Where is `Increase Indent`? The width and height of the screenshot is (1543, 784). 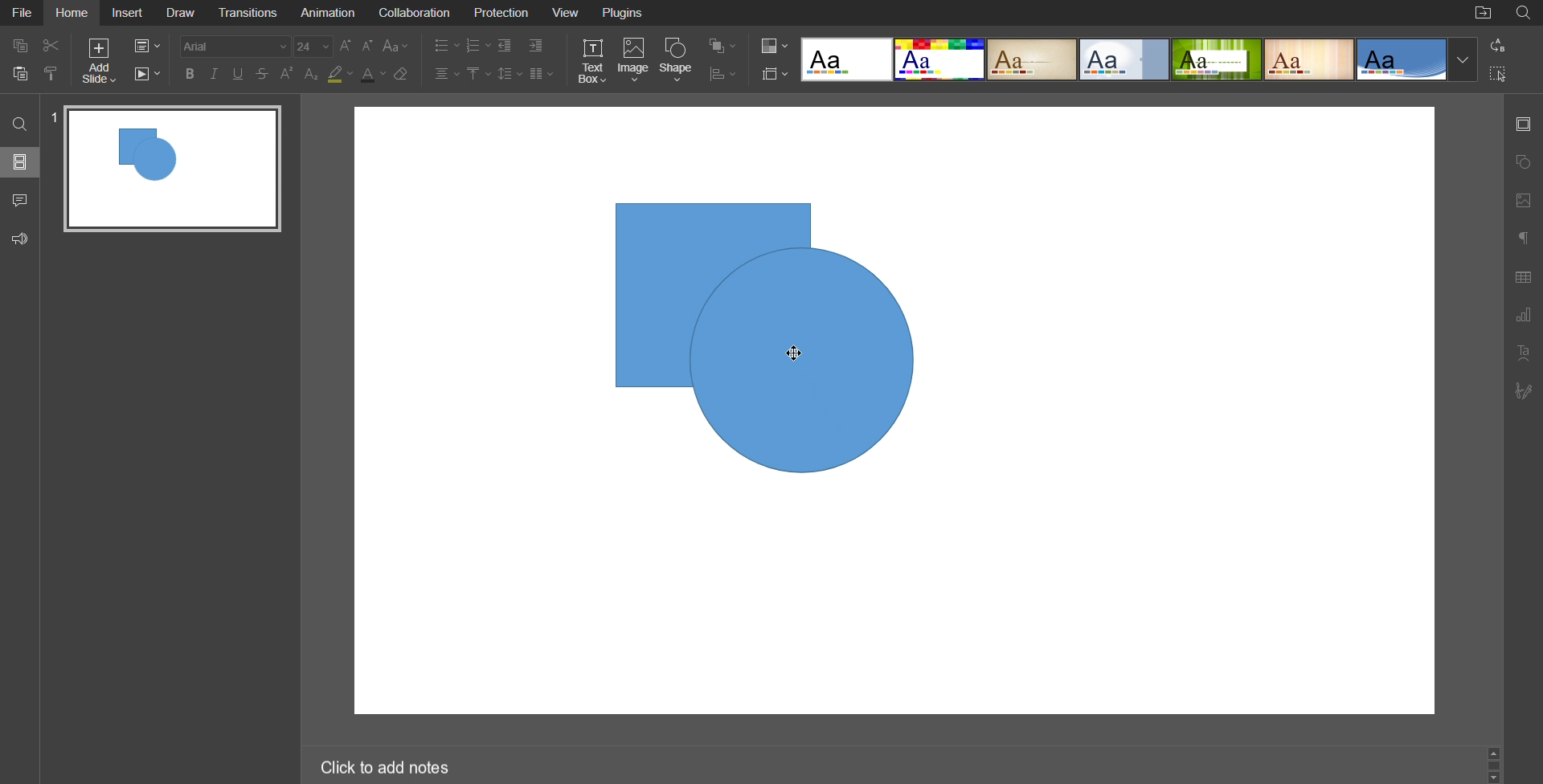
Increase Indent is located at coordinates (536, 46).